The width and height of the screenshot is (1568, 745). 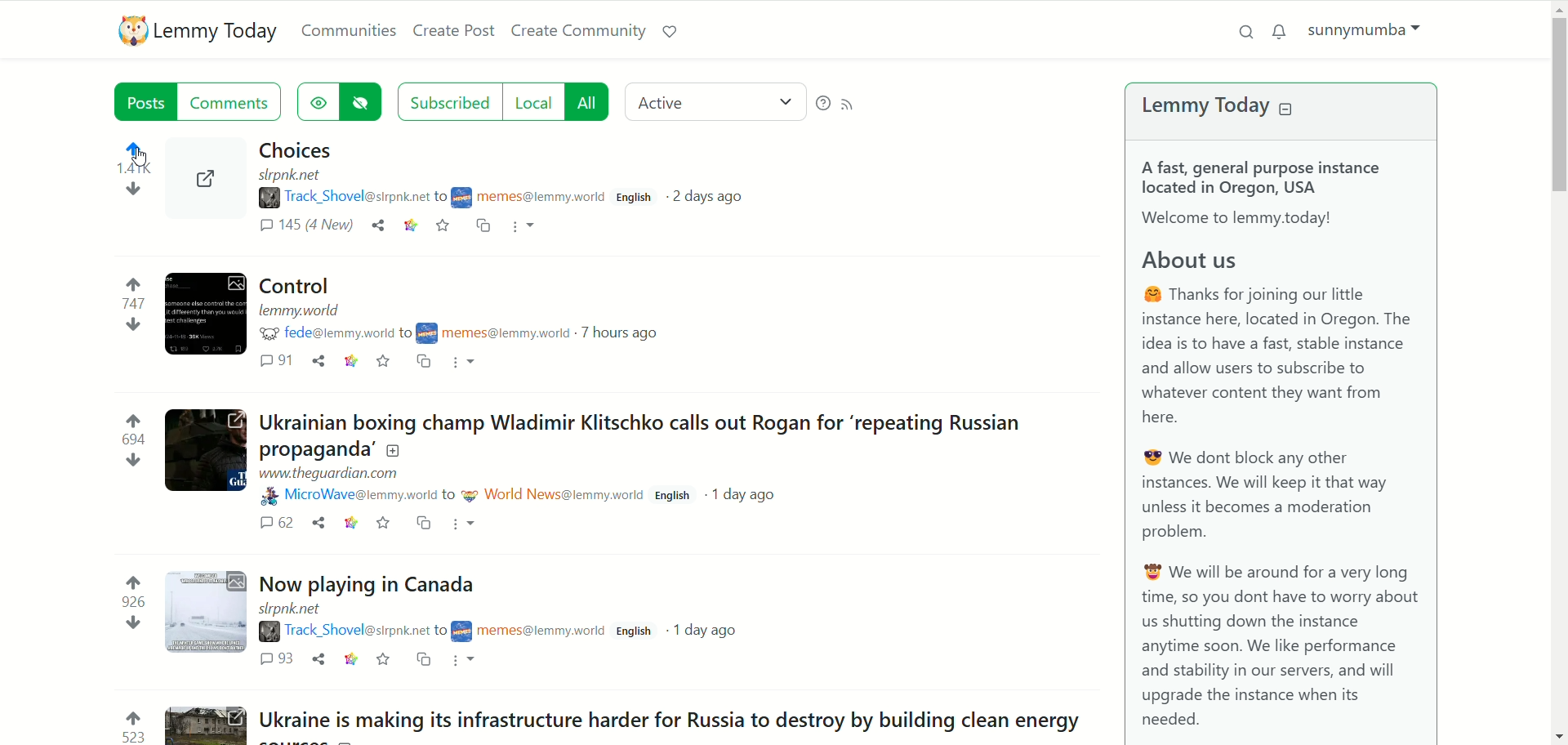 I want to click on upvote, so click(x=134, y=419).